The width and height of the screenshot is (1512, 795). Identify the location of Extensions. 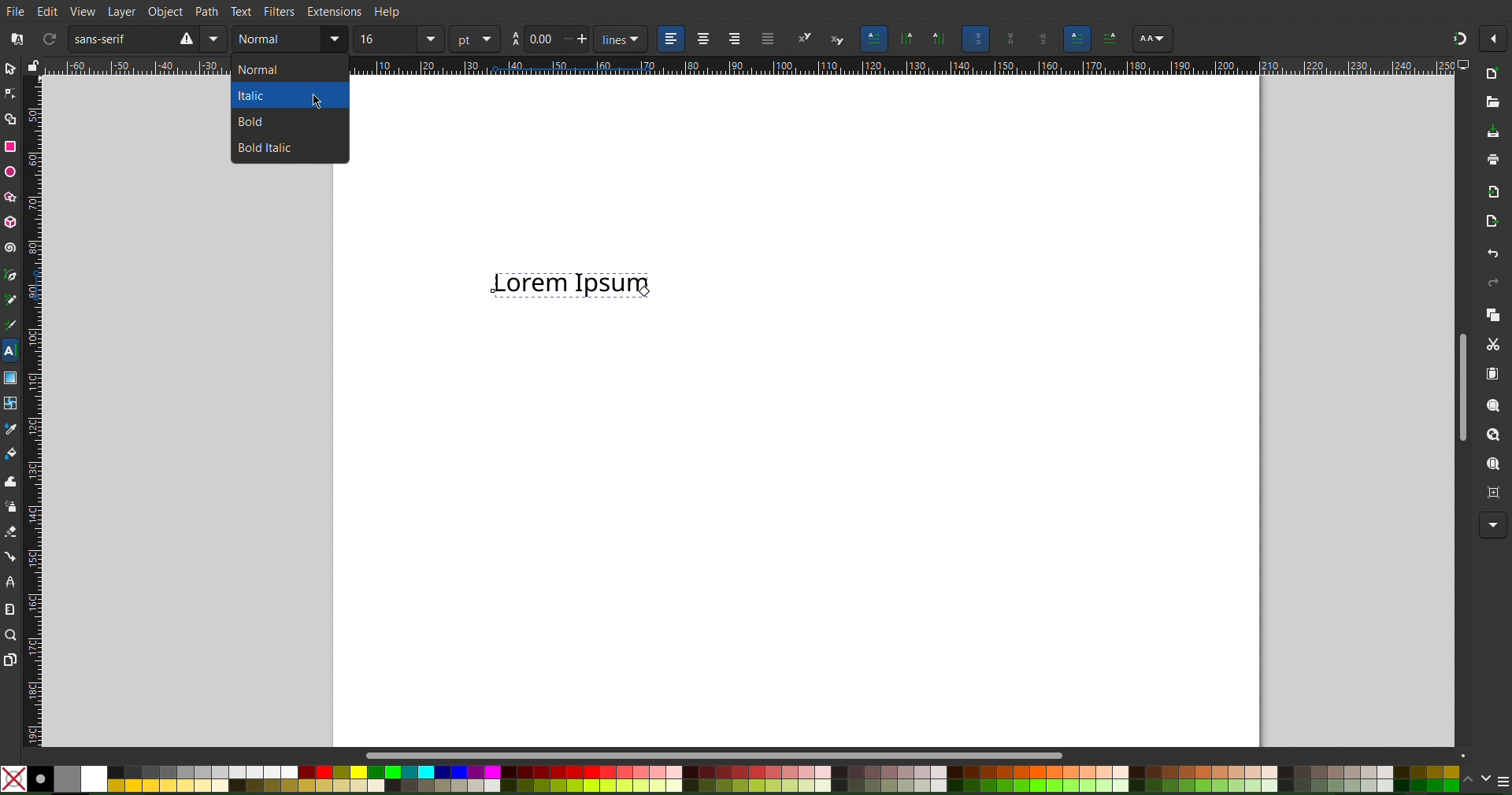
(333, 11).